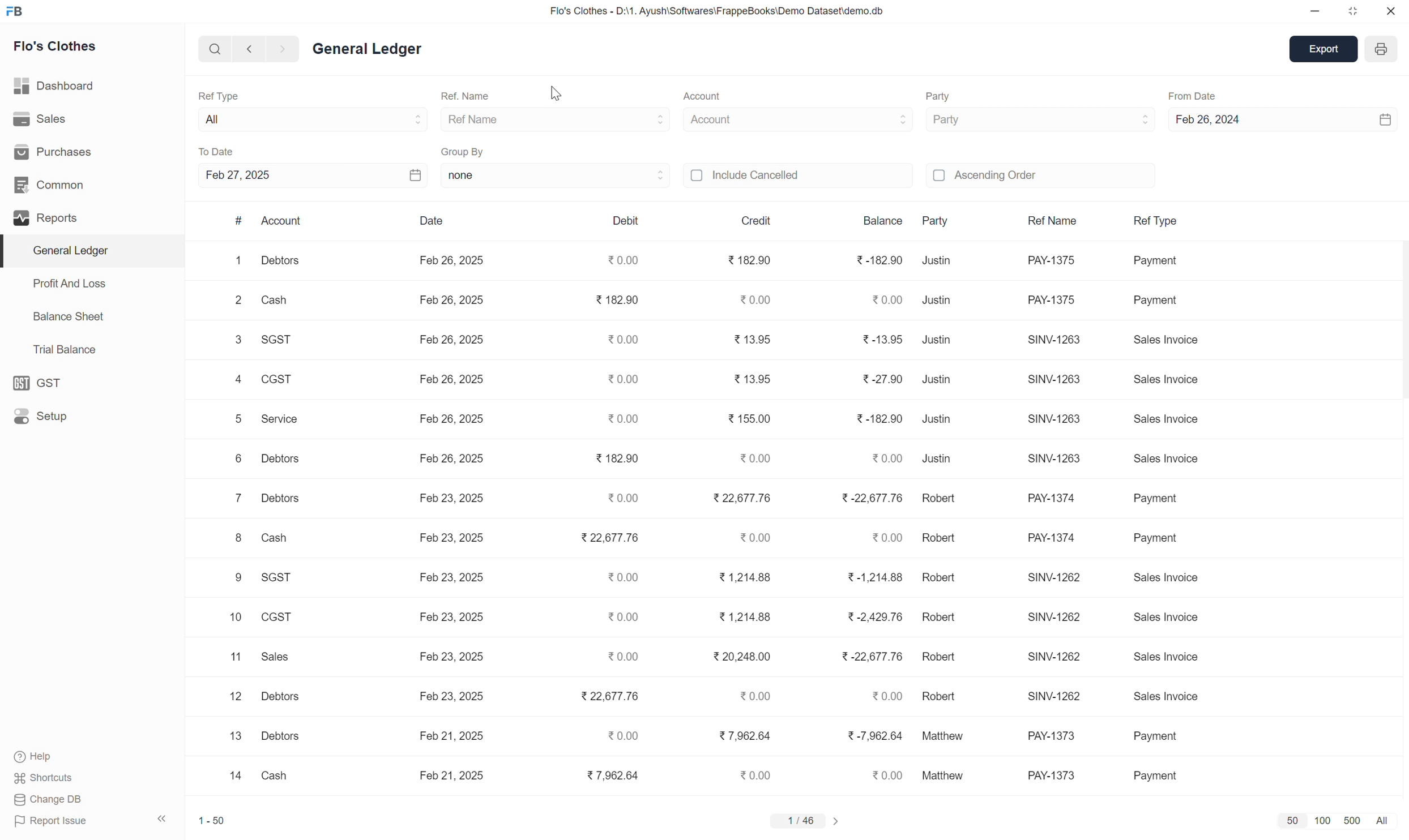 This screenshot has width=1409, height=840. I want to click on 0.00, so click(624, 418).